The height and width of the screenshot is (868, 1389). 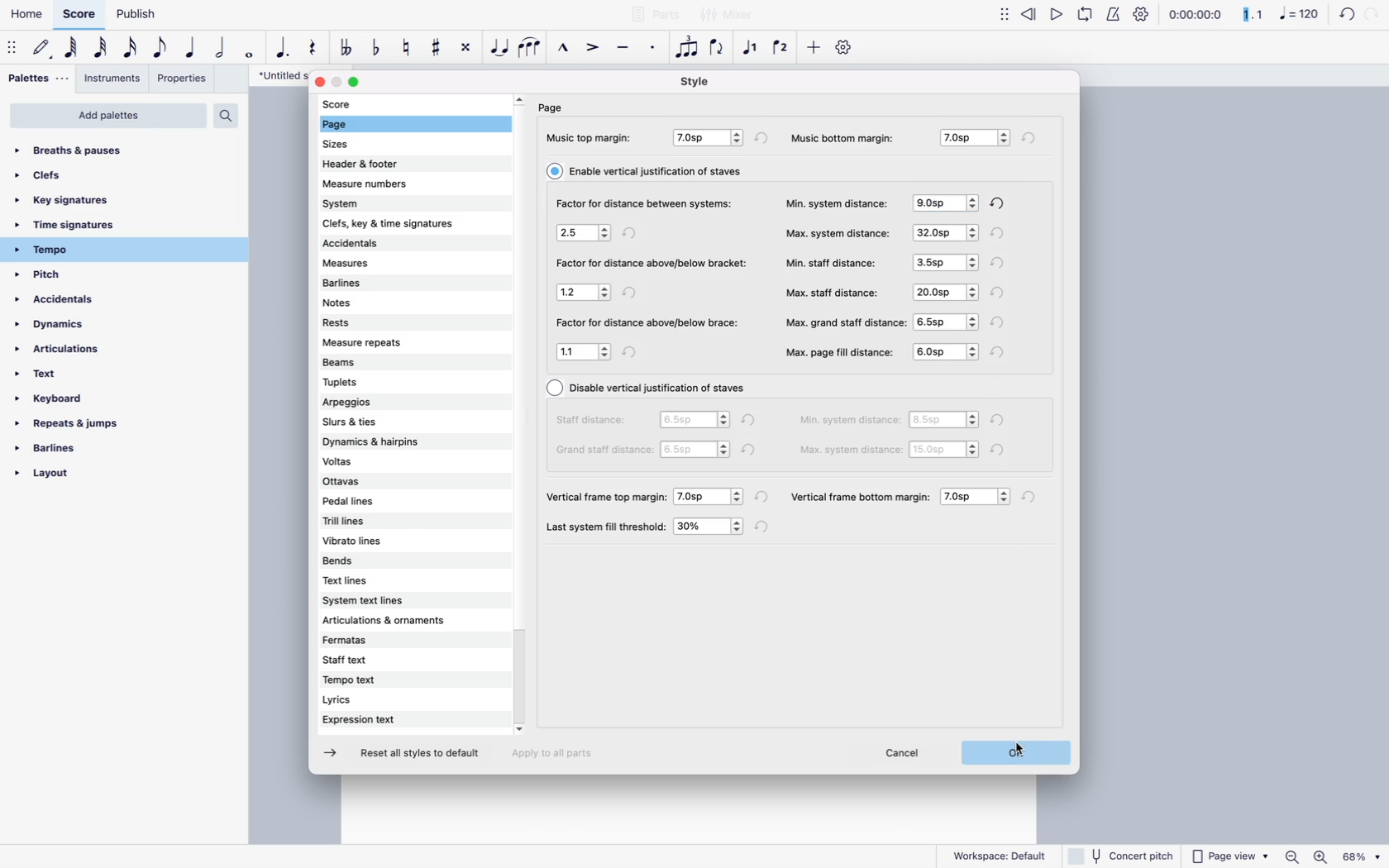 I want to click on refresh, so click(x=753, y=451).